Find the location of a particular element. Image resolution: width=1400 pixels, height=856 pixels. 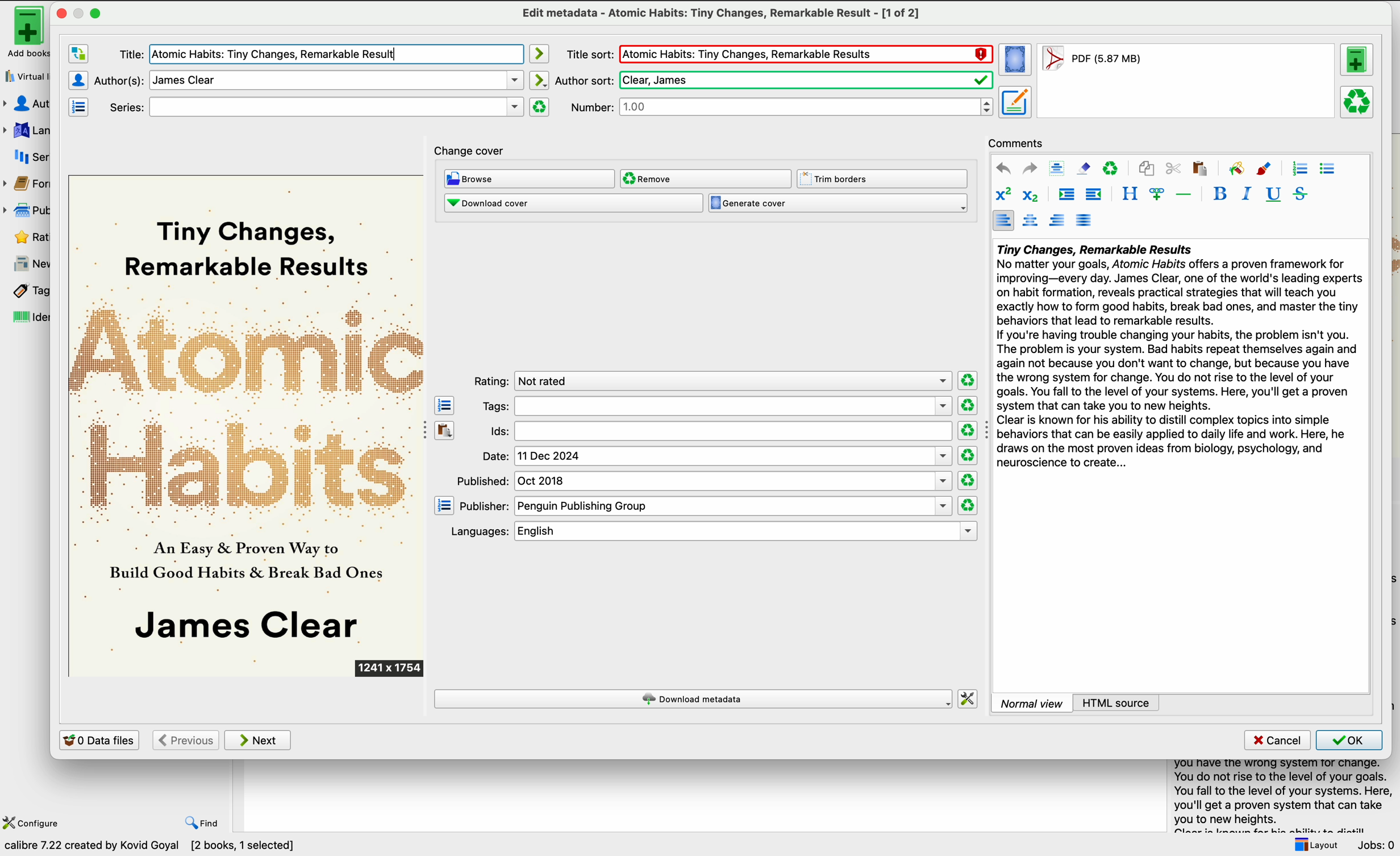

close is located at coordinates (60, 13).